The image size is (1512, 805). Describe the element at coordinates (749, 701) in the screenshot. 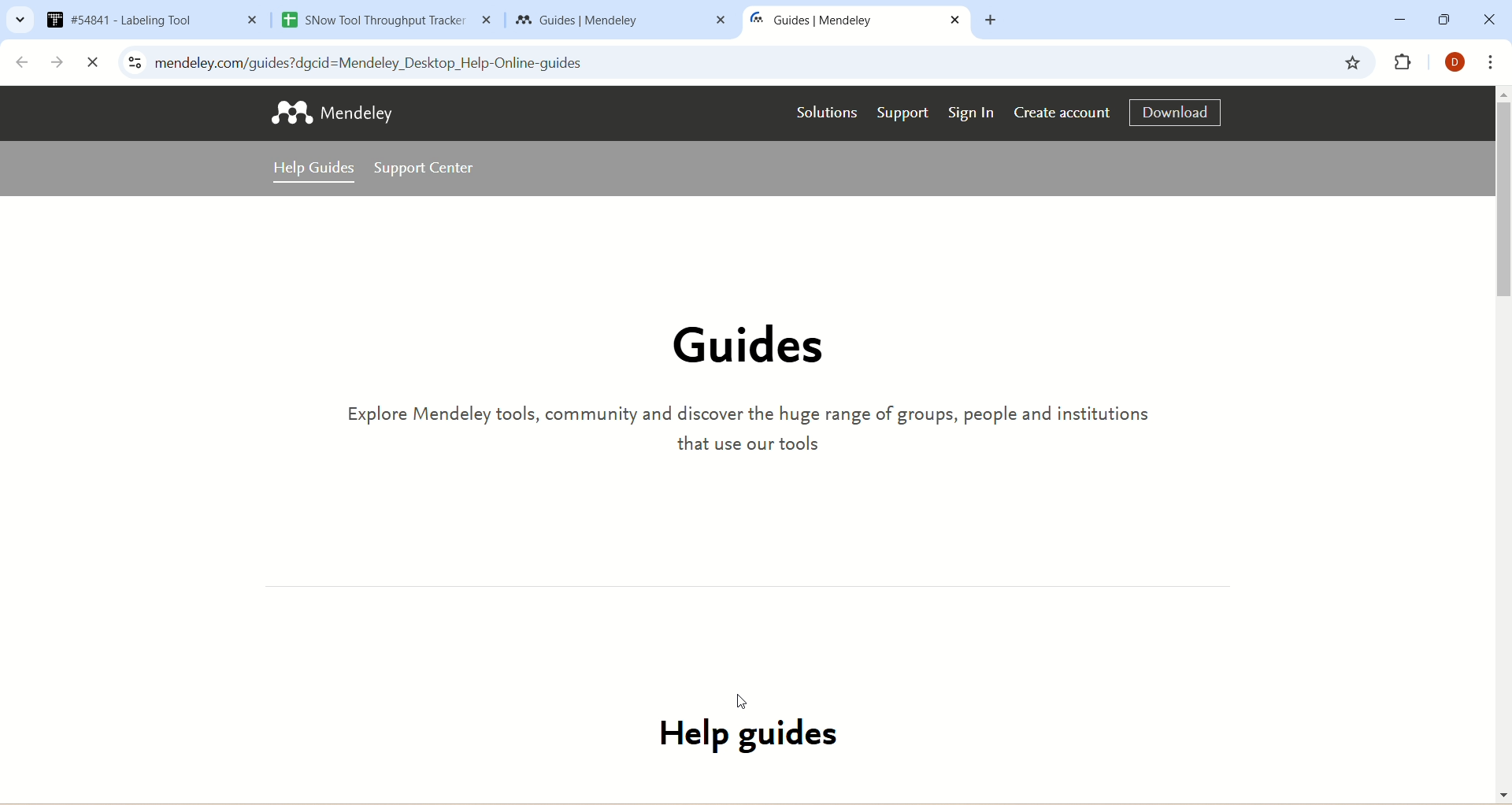

I see `cursor` at that location.